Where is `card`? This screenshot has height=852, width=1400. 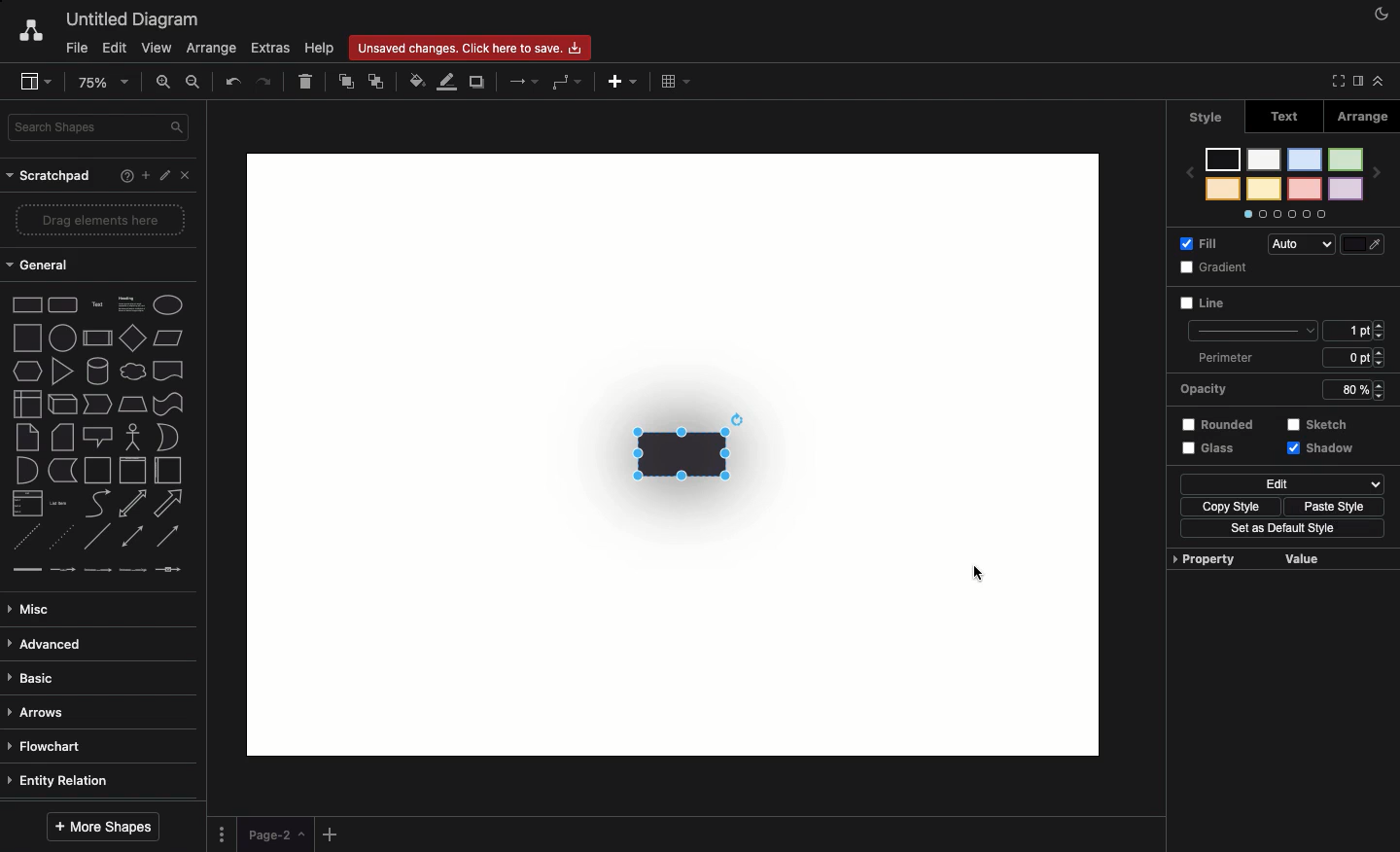
card is located at coordinates (60, 436).